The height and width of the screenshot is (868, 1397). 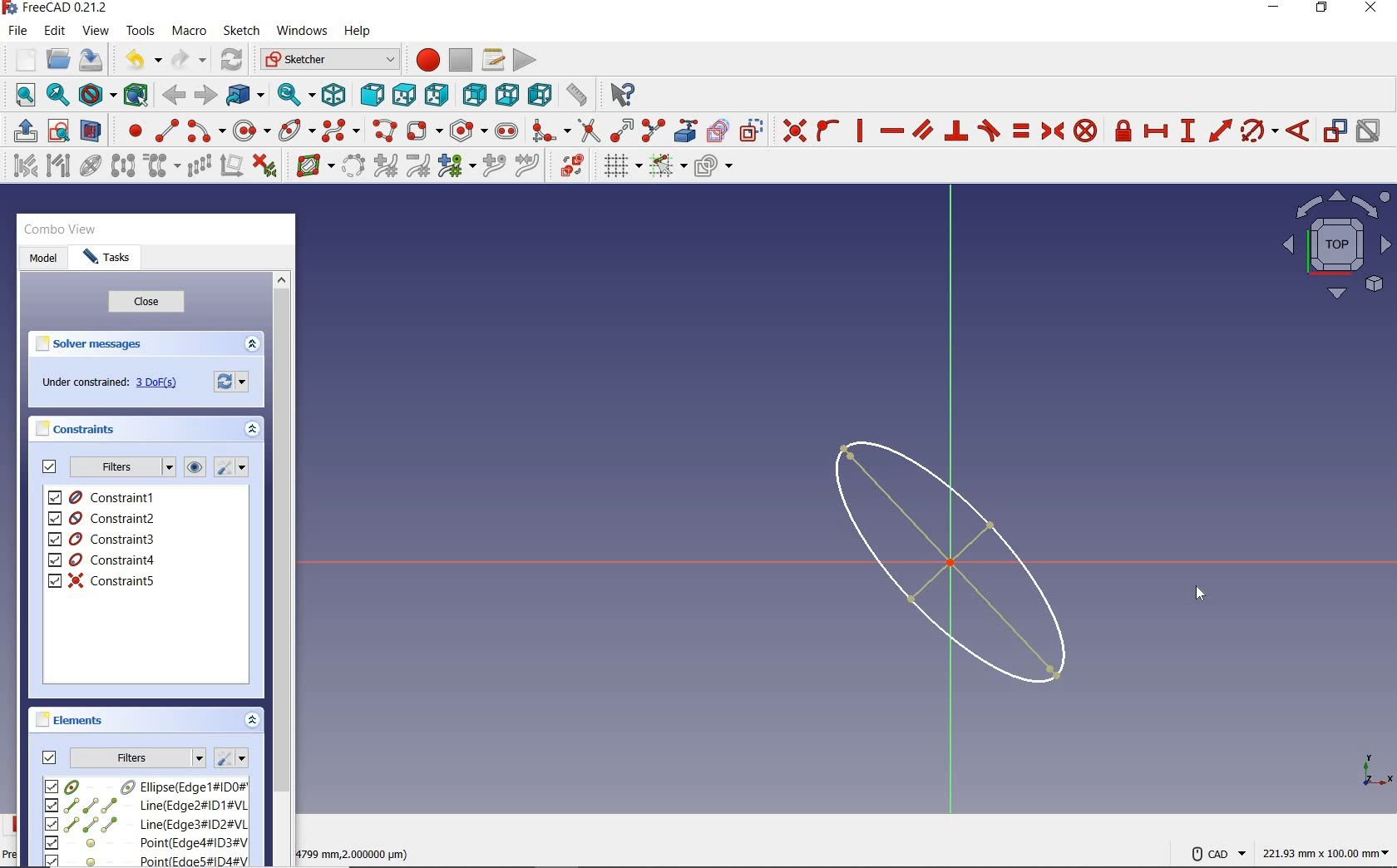 What do you see at coordinates (264, 165) in the screenshot?
I see `delete all constraints` at bounding box center [264, 165].